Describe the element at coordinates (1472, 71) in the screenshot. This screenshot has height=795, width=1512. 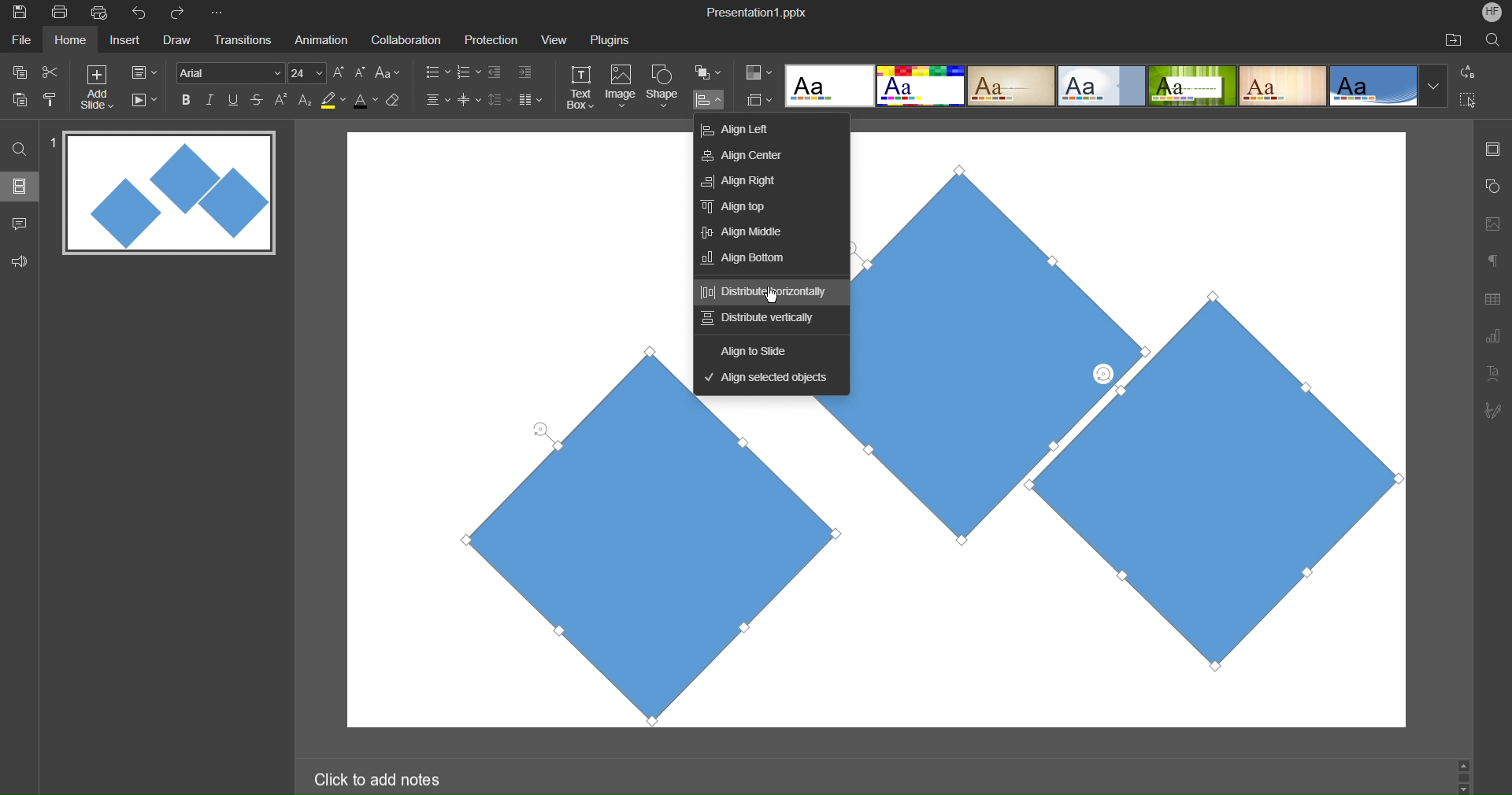
I see `a to b` at that location.